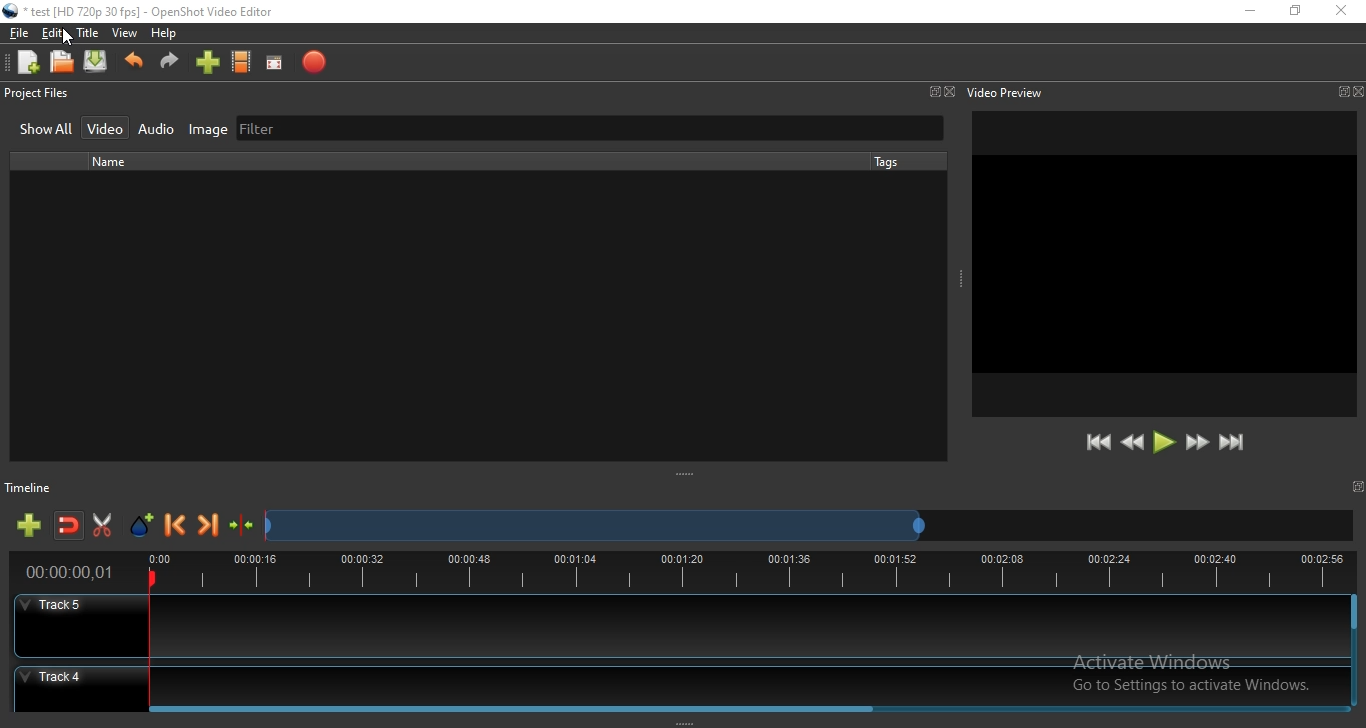 The width and height of the screenshot is (1366, 728). I want to click on Title, so click(88, 33).